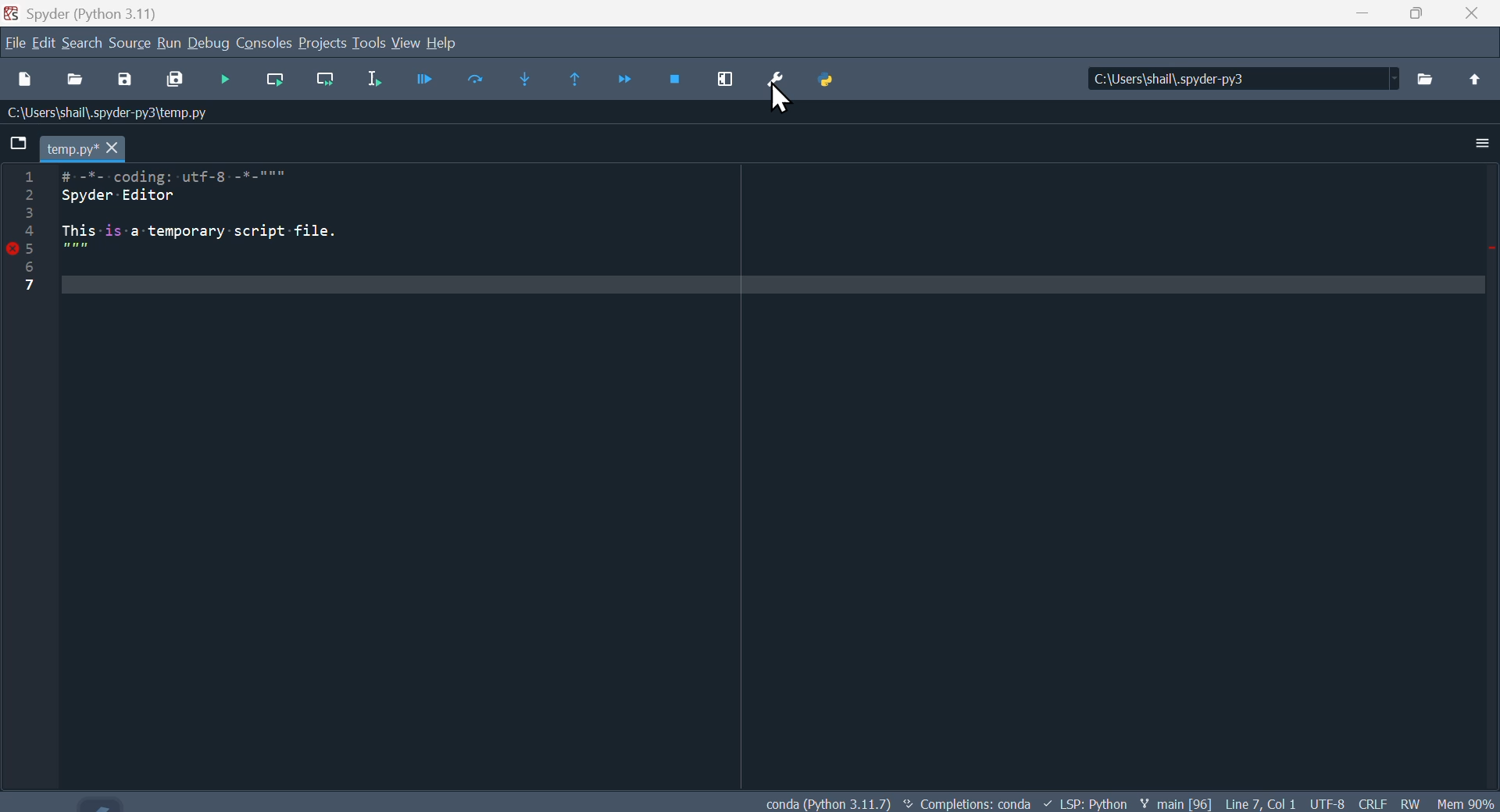 The height and width of the screenshot is (812, 1500). I want to click on C:\Users\shail\.spyder-py3, so click(1227, 80).